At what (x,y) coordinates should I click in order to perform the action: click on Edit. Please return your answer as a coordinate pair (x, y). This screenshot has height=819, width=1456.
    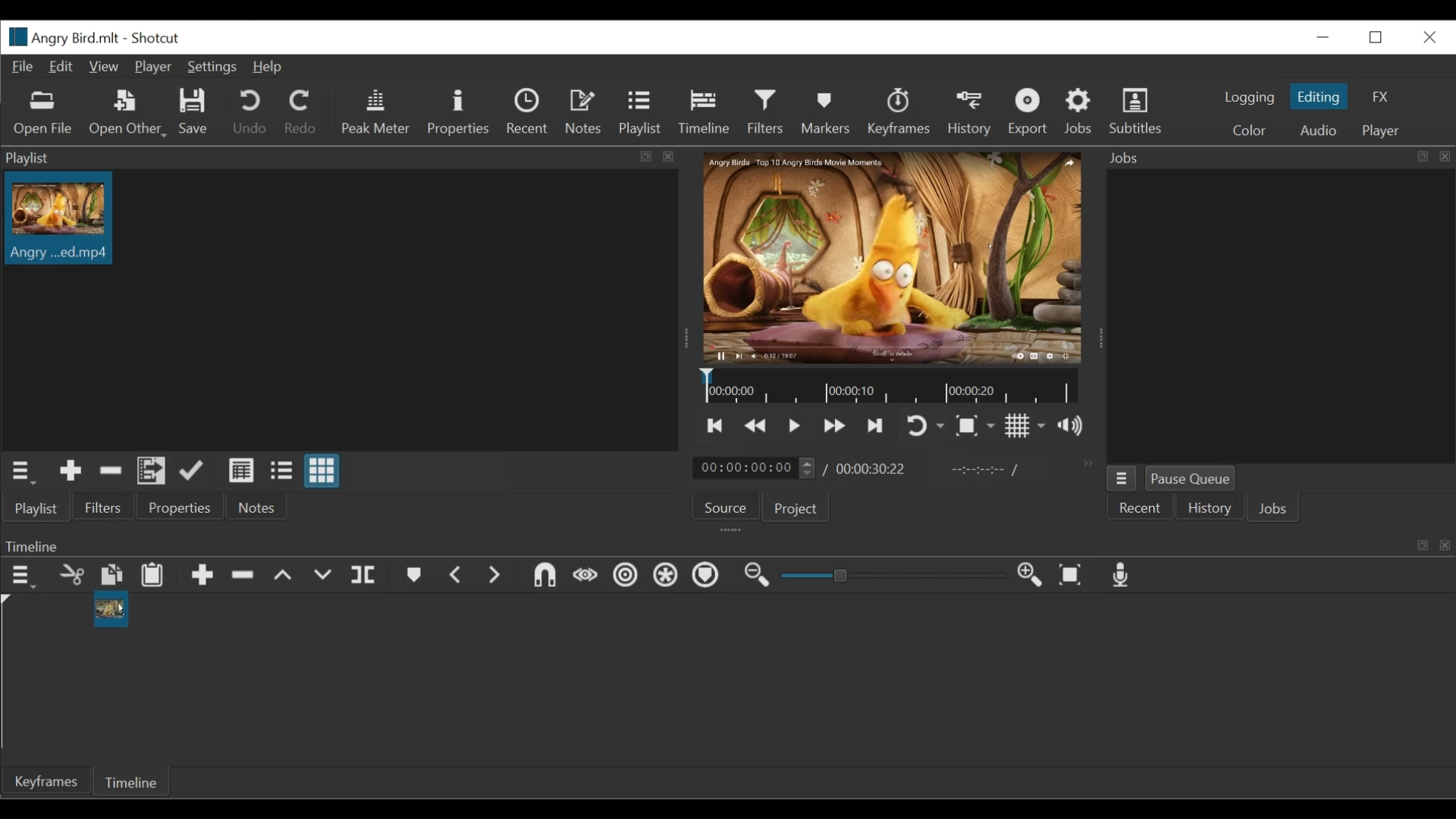
    Looking at the image, I should click on (61, 67).